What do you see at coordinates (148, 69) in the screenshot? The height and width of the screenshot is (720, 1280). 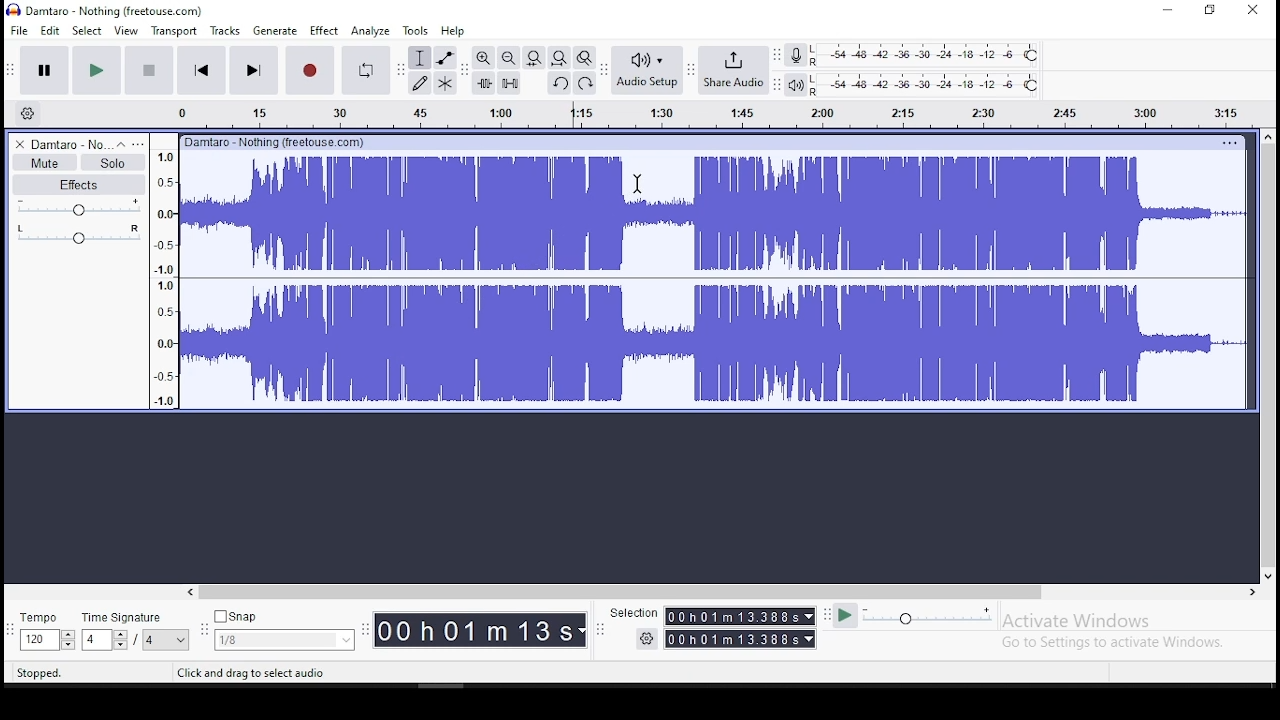 I see `stop` at bounding box center [148, 69].